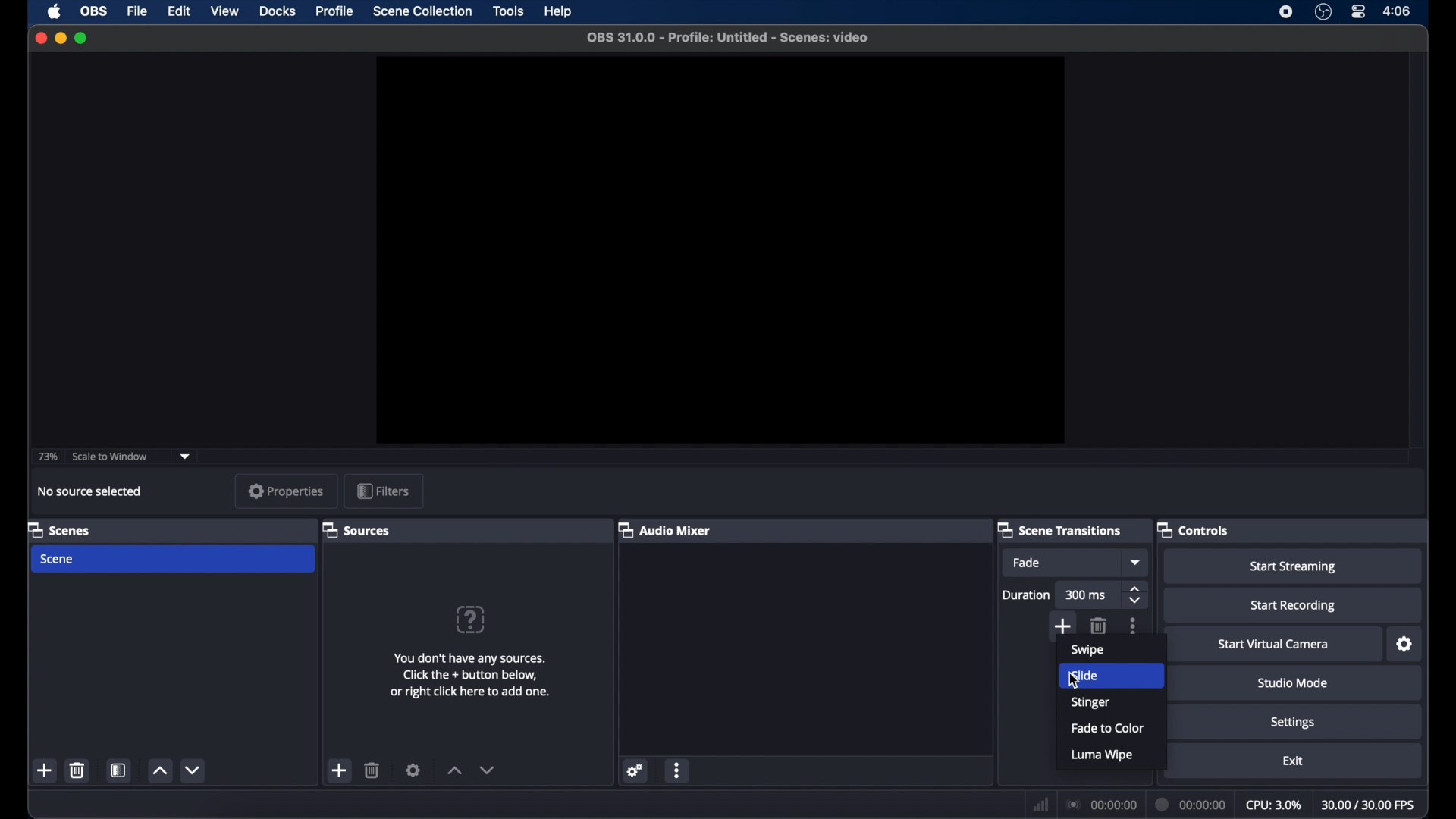 The height and width of the screenshot is (819, 1456). What do you see at coordinates (1100, 625) in the screenshot?
I see `delete` at bounding box center [1100, 625].